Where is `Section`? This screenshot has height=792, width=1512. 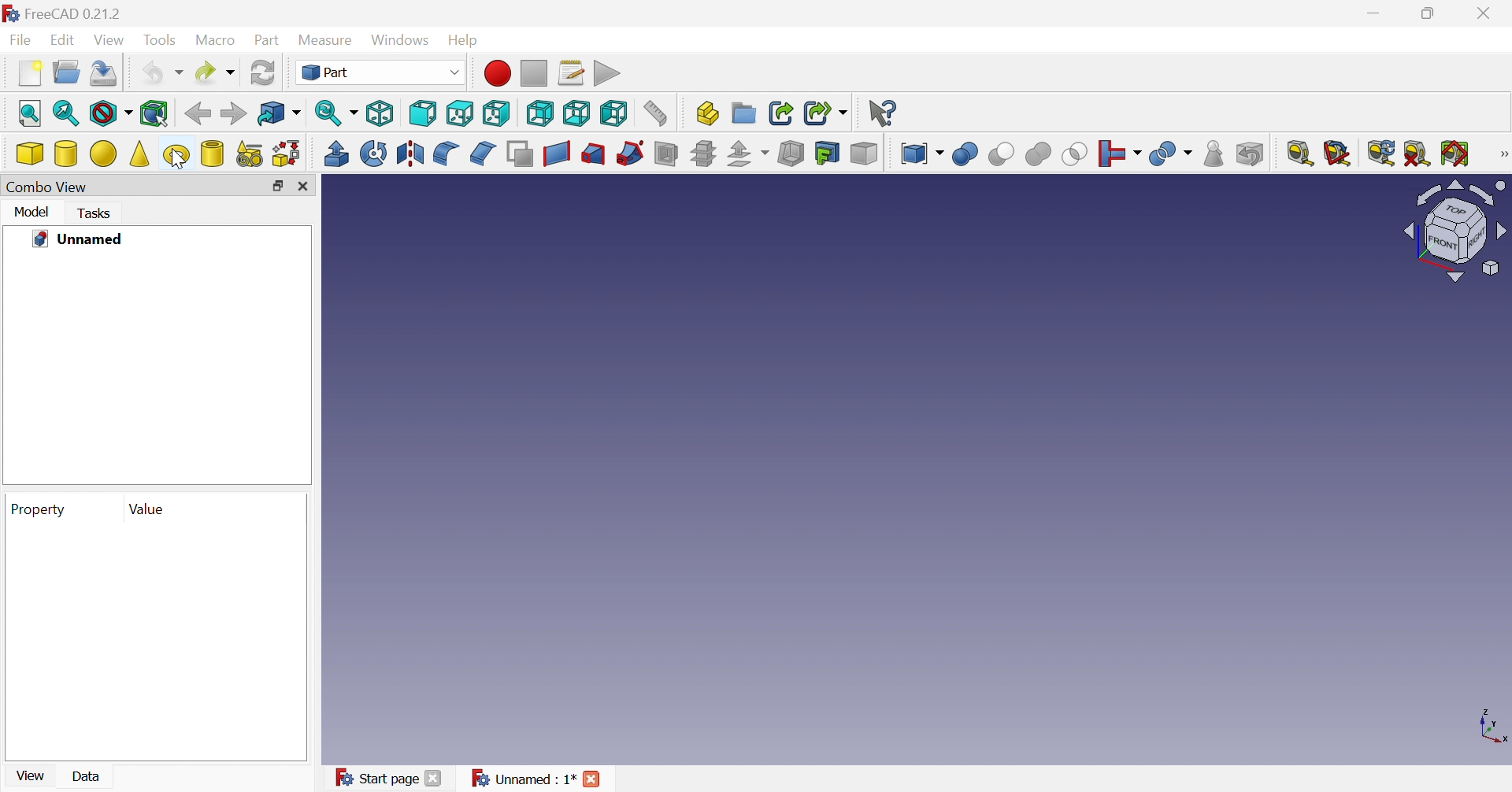 Section is located at coordinates (665, 152).